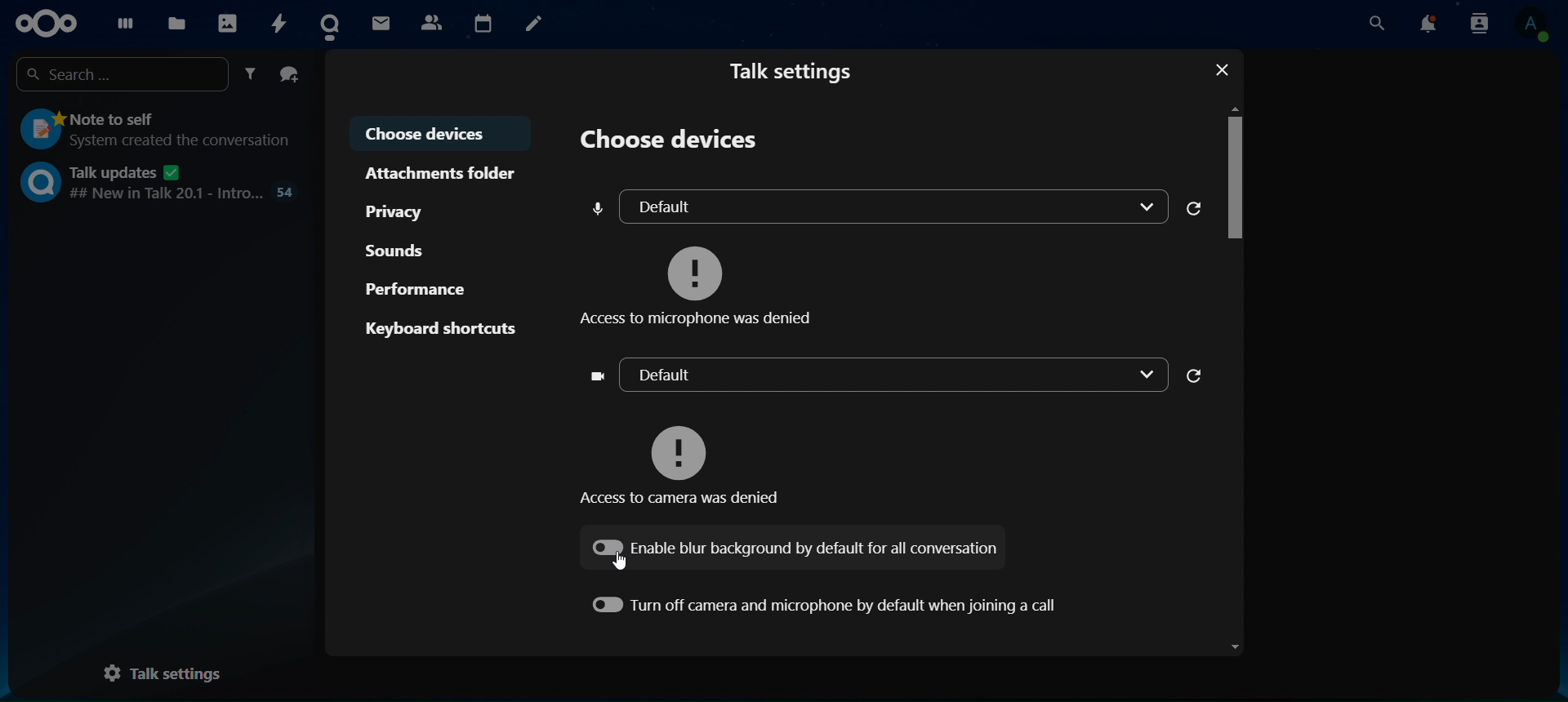  What do you see at coordinates (160, 673) in the screenshot?
I see `talk settings` at bounding box center [160, 673].